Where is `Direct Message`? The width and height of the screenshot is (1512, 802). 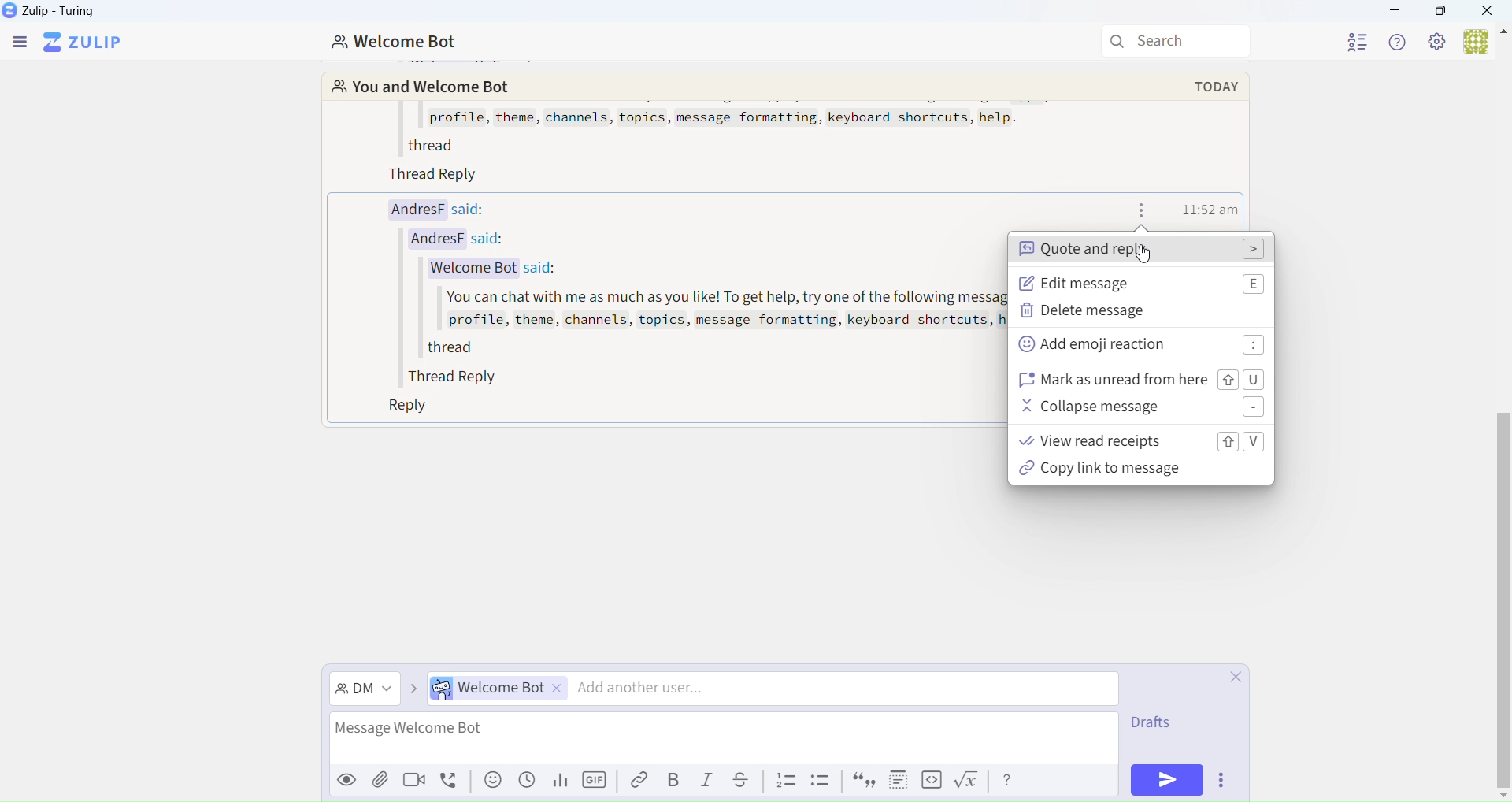
Direct Message is located at coordinates (770, 689).